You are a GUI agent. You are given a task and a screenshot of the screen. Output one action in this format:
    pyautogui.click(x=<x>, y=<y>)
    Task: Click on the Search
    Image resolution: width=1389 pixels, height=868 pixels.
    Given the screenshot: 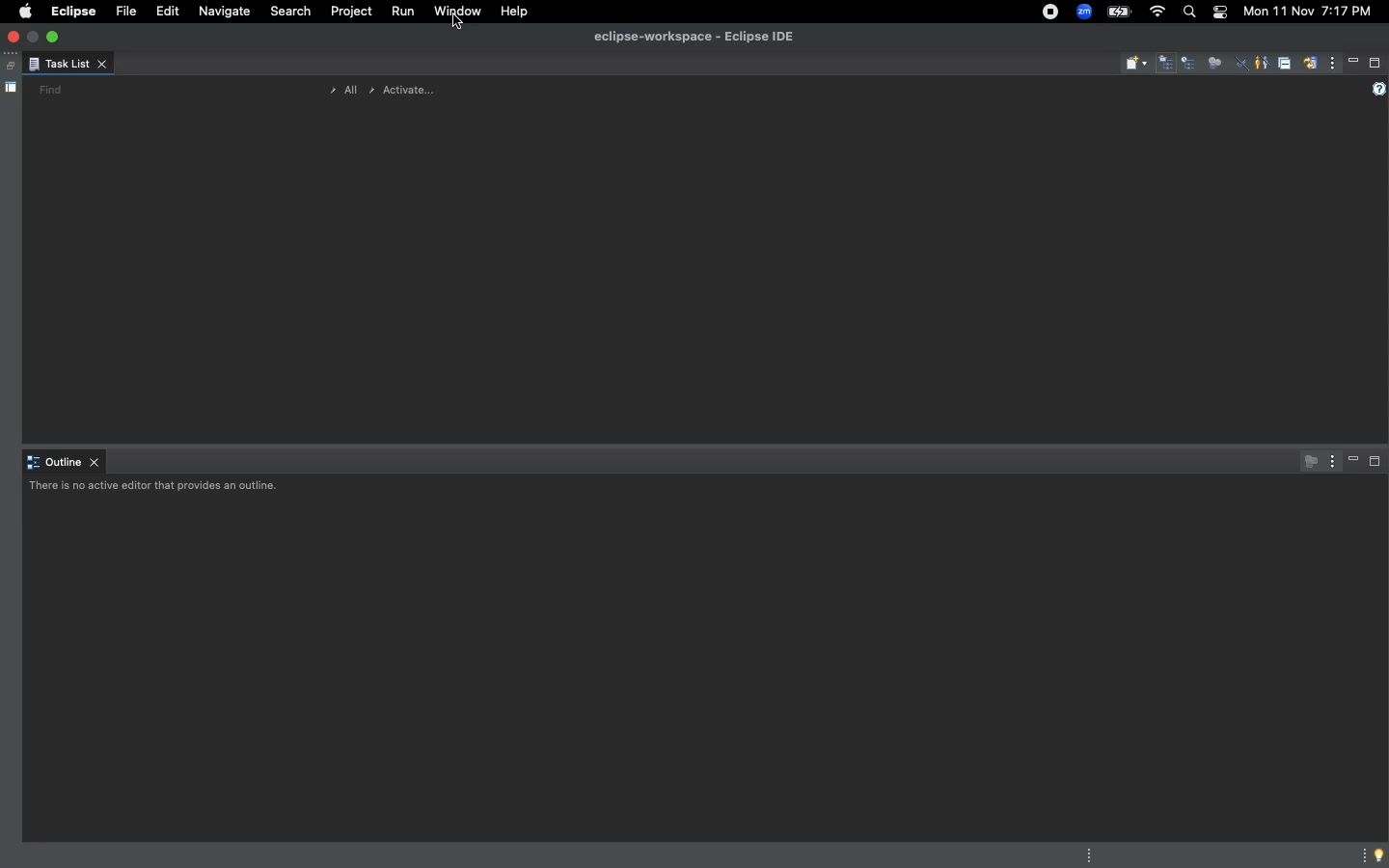 What is the action you would take?
    pyautogui.click(x=290, y=14)
    